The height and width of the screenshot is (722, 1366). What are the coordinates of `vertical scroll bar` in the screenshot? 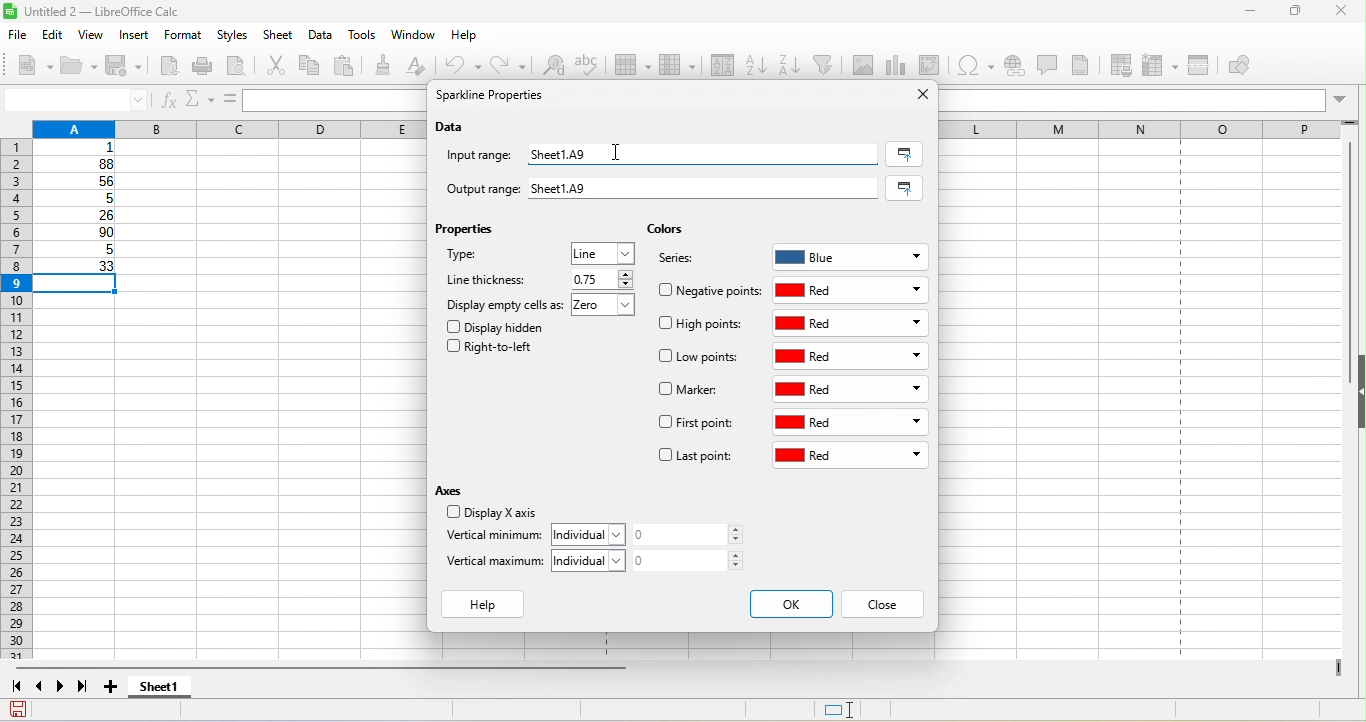 It's located at (1346, 262).